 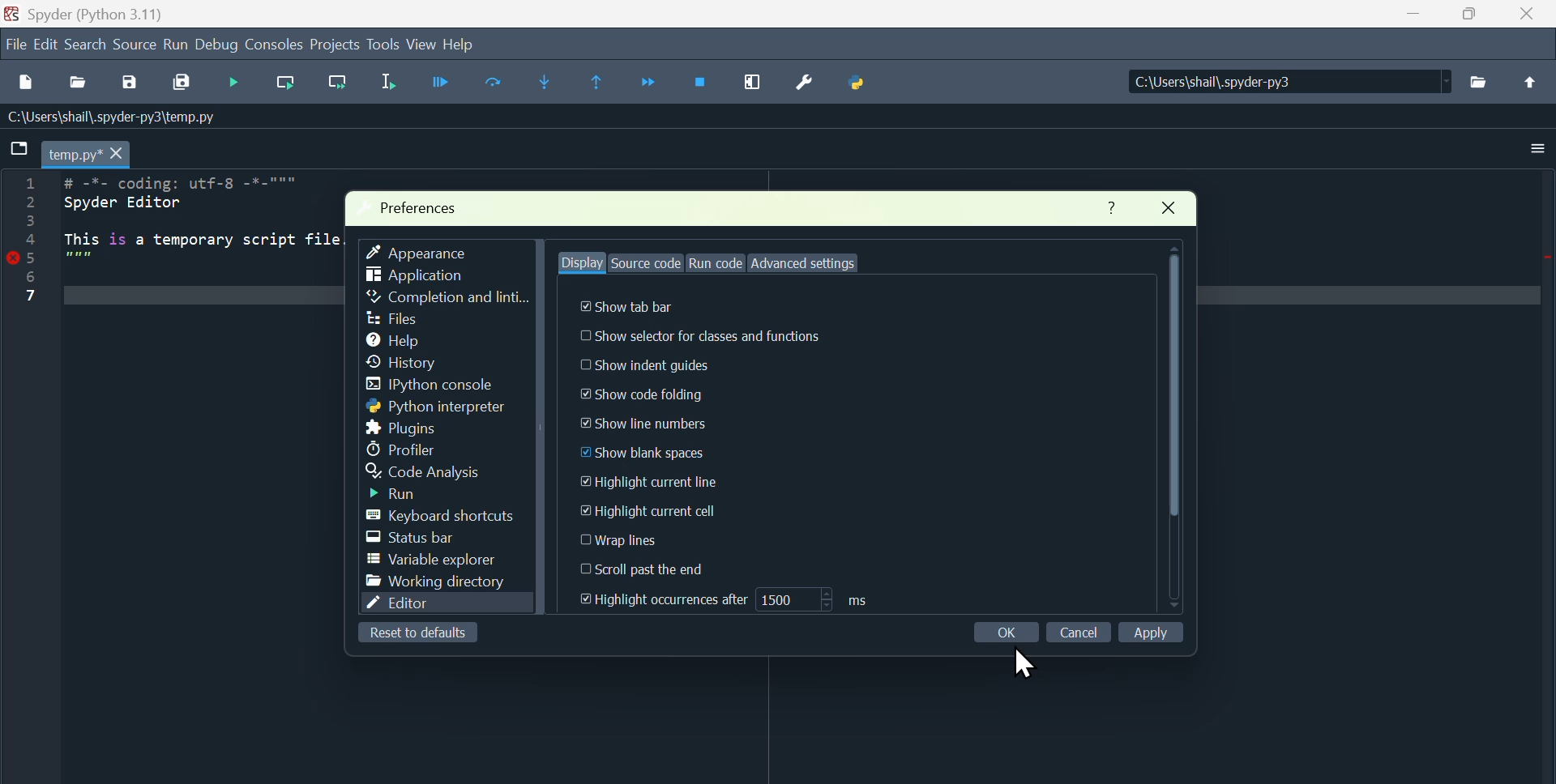 I want to click on Run code, so click(x=716, y=262).